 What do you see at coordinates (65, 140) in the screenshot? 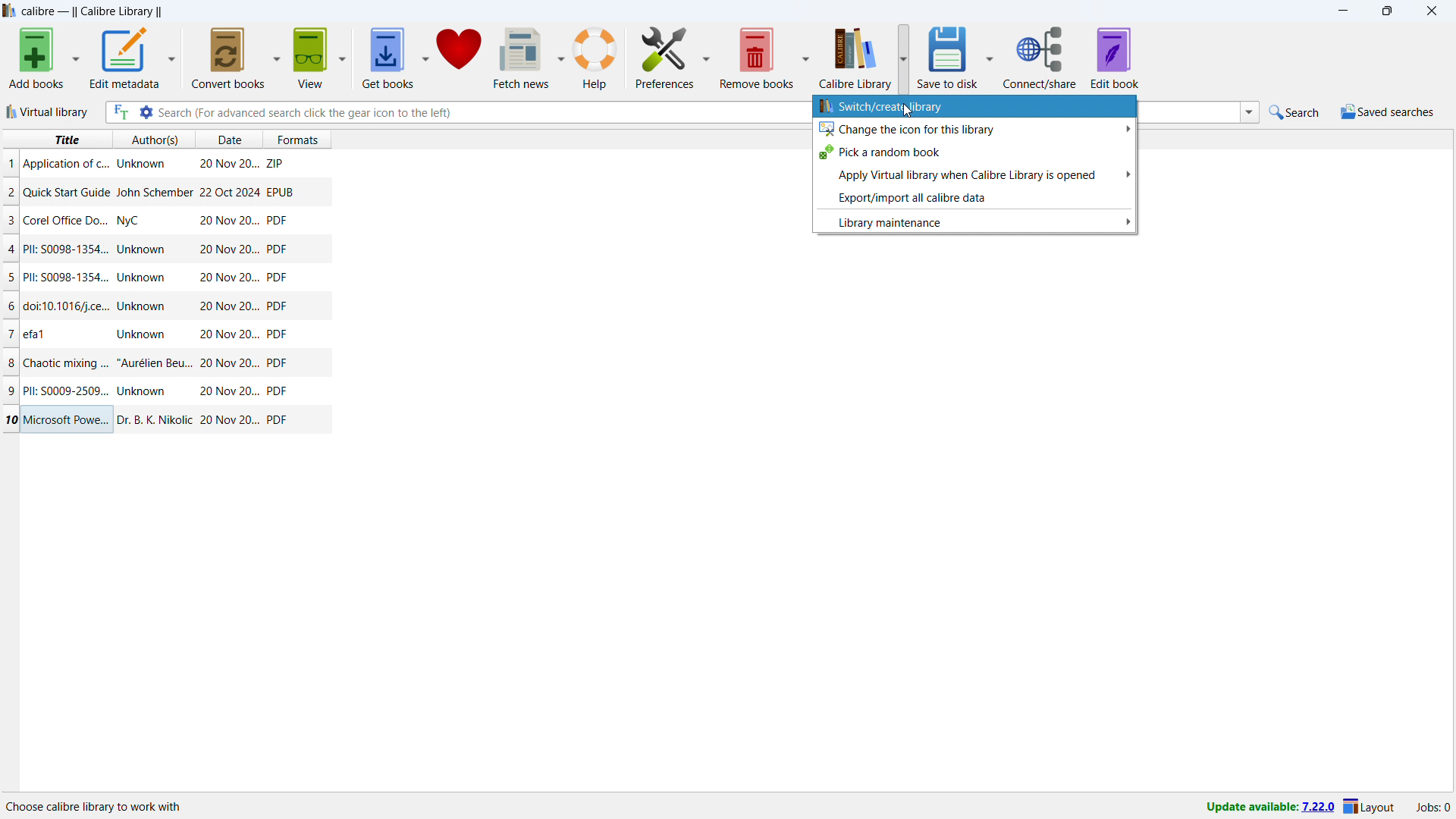
I see `title` at bounding box center [65, 140].